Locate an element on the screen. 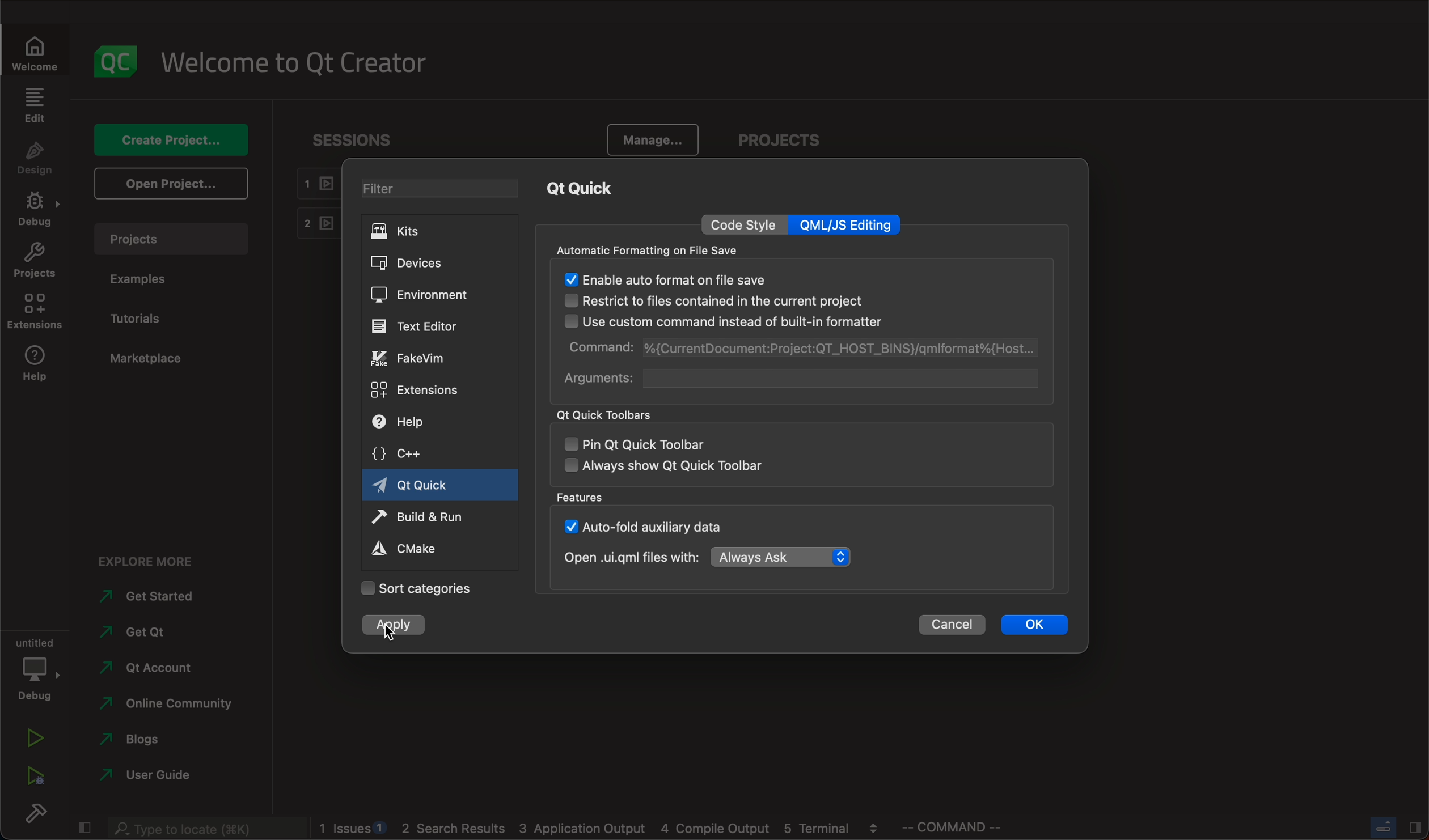 This screenshot has height=840, width=1429. open is located at coordinates (170, 184).